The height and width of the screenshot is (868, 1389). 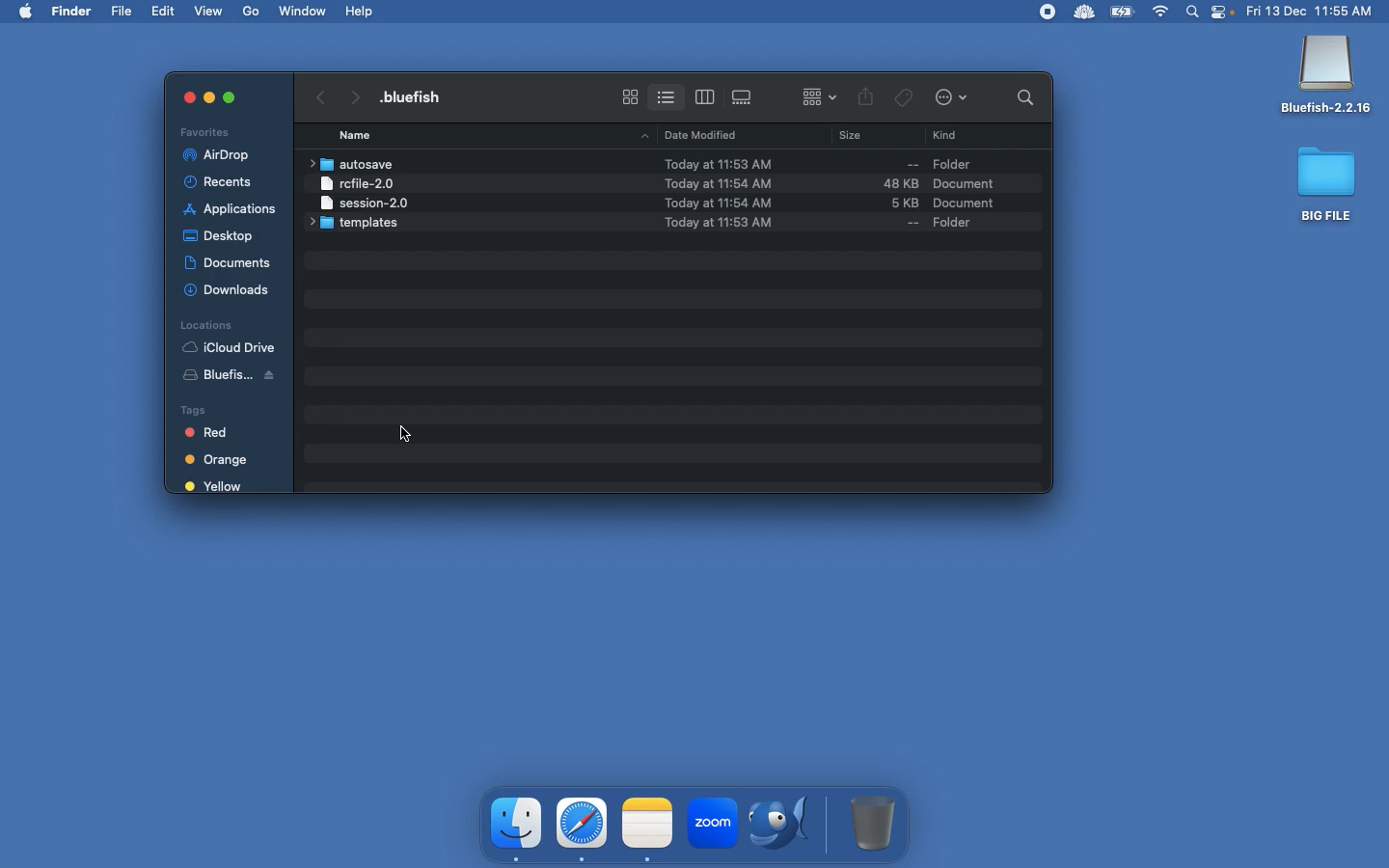 What do you see at coordinates (1064, 12) in the screenshot?
I see `Extensions` at bounding box center [1064, 12].